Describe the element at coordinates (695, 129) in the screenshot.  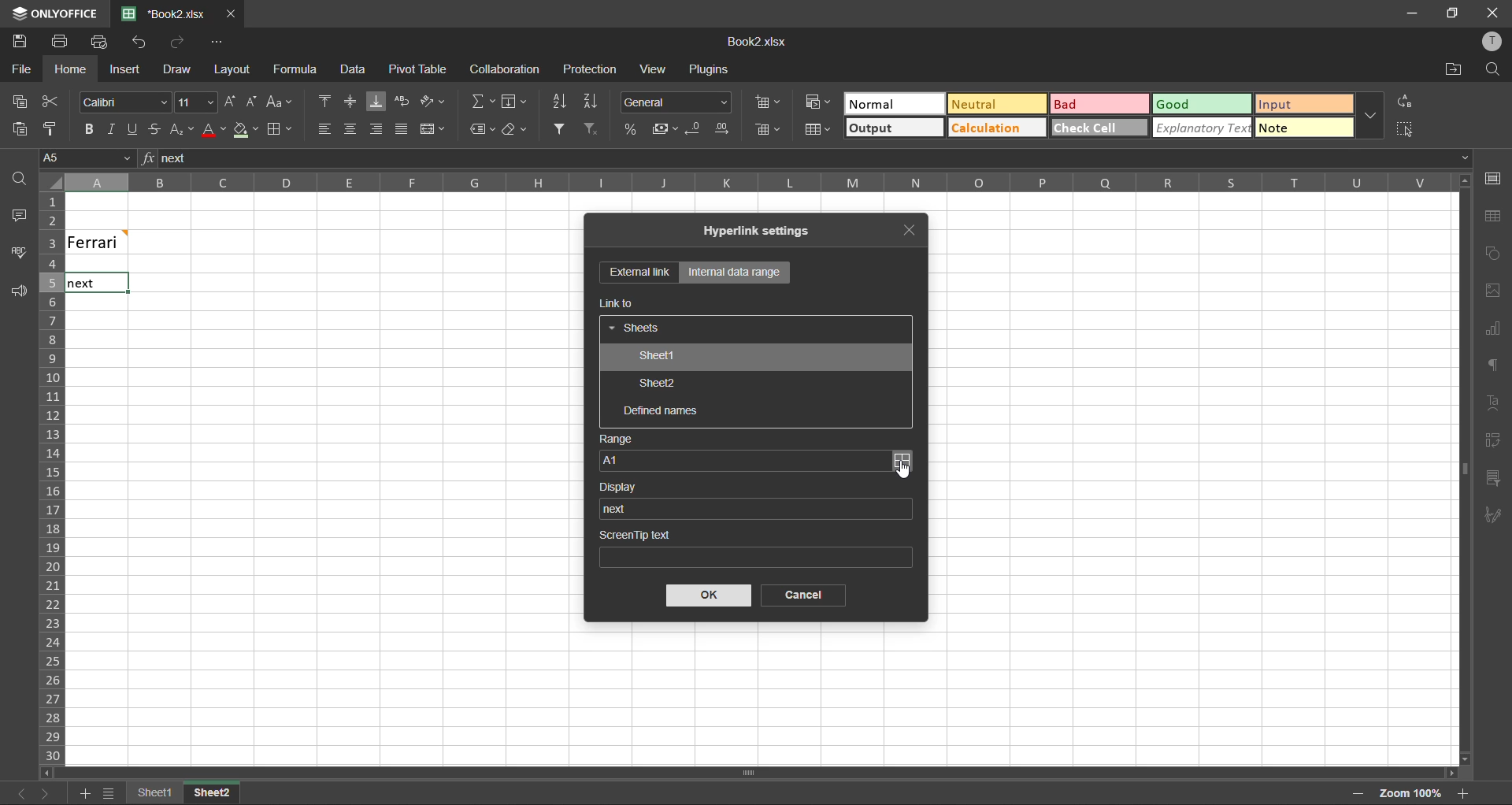
I see `decrease decimal` at that location.